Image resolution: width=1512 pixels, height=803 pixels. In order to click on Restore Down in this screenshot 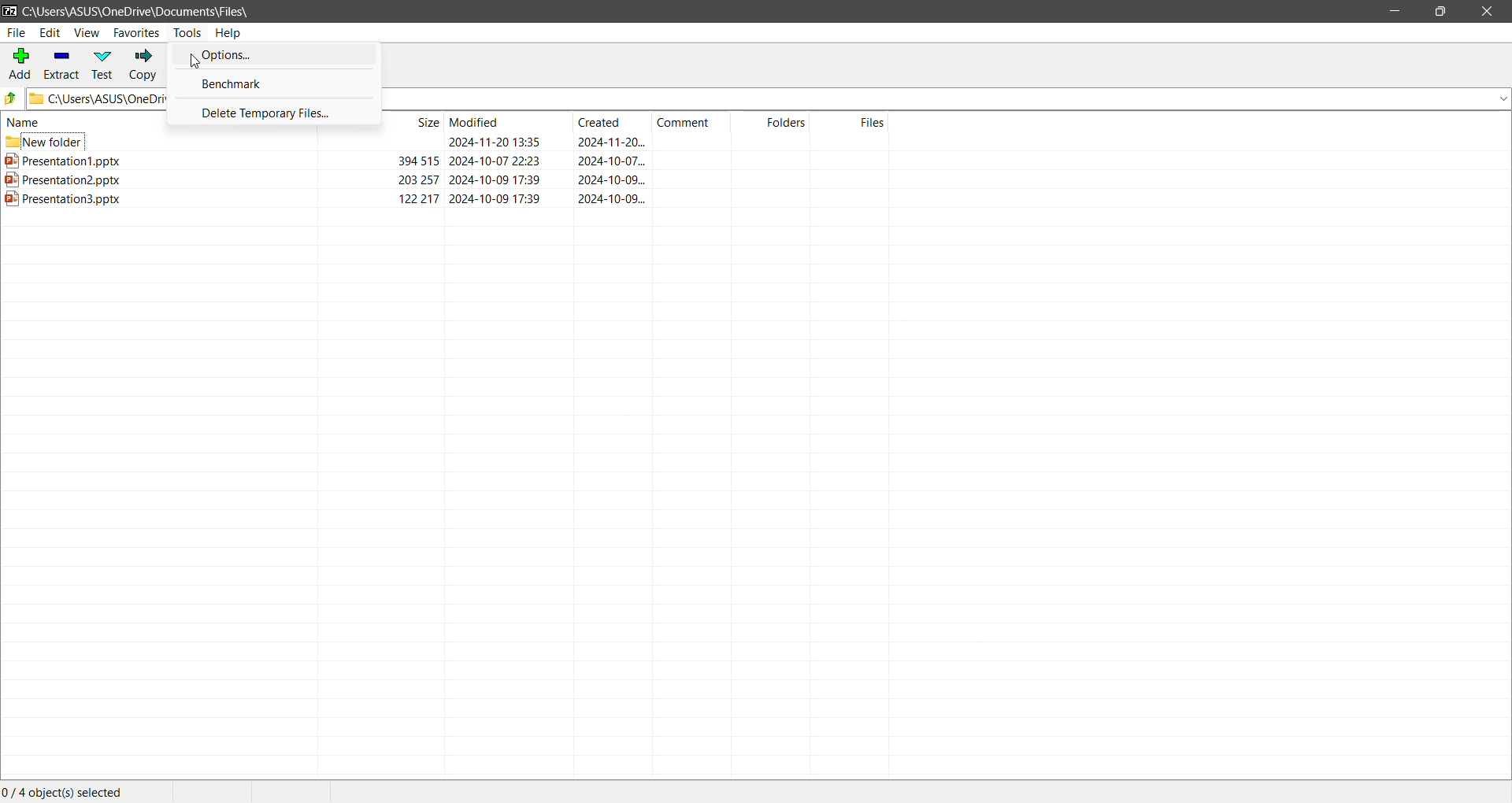, I will do `click(1440, 12)`.